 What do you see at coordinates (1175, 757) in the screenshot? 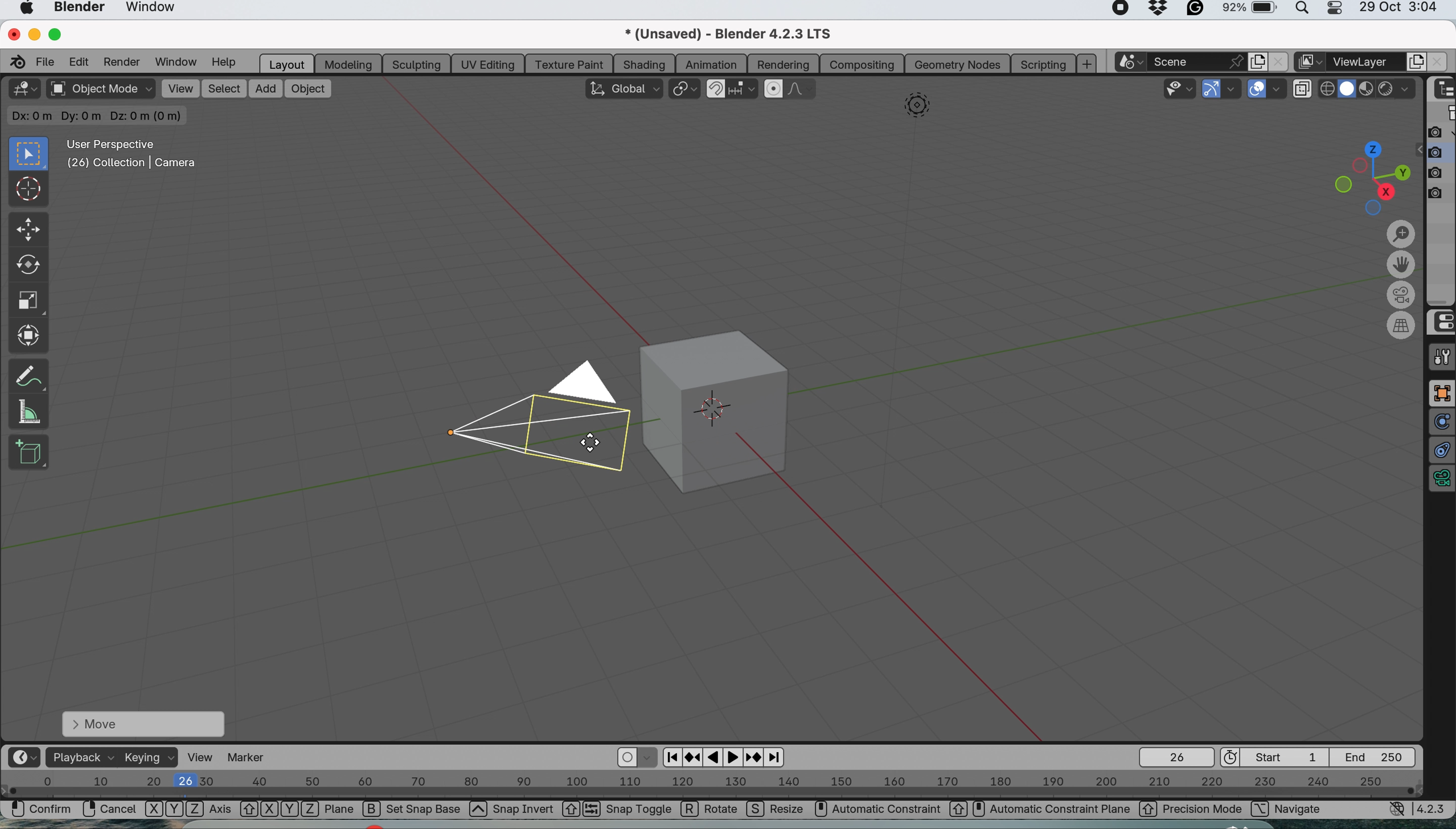
I see `current frame` at bounding box center [1175, 757].